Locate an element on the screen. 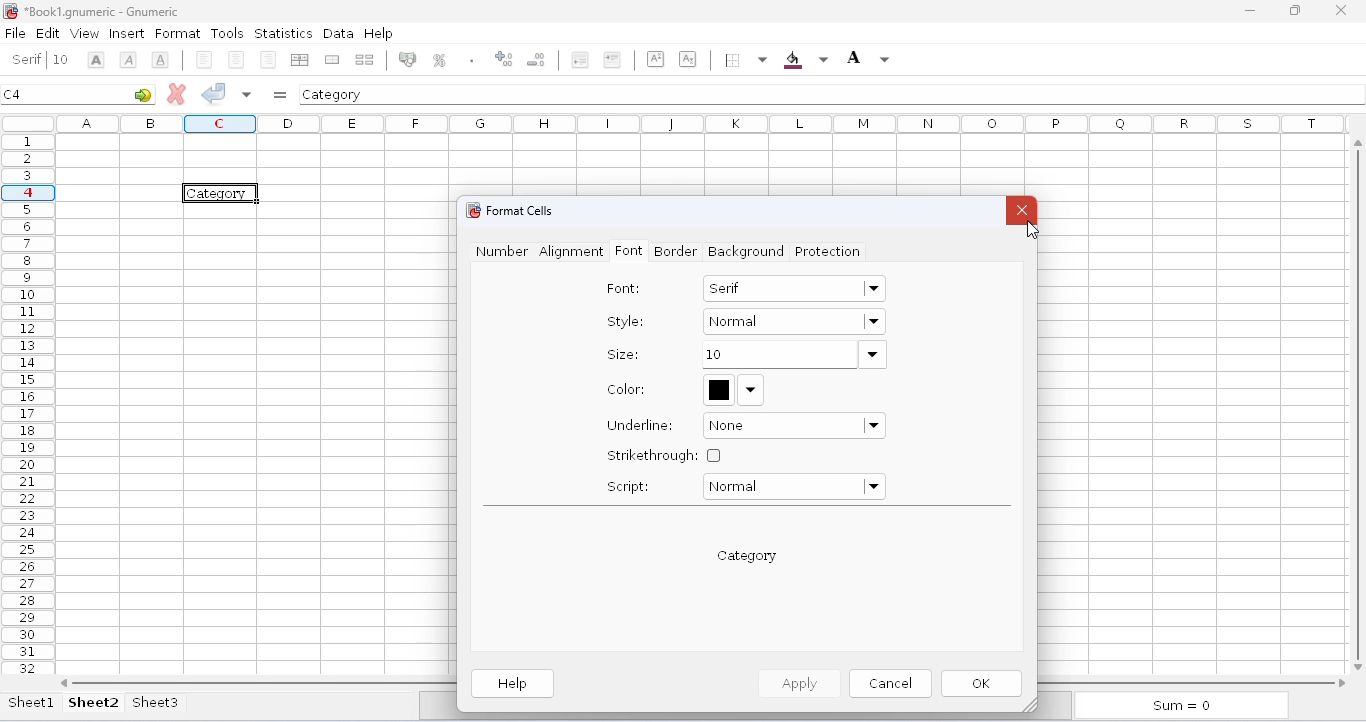 Image resolution: width=1366 pixels, height=722 pixels. help is located at coordinates (378, 32).